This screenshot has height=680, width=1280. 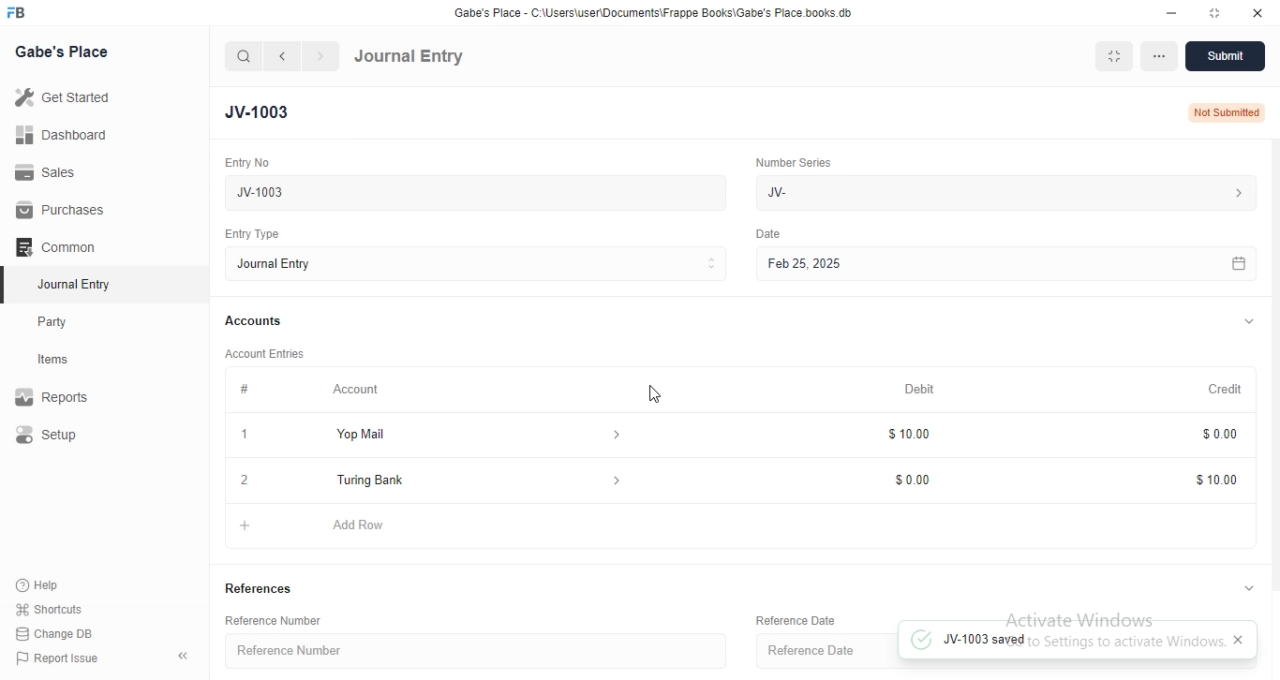 What do you see at coordinates (272, 623) in the screenshot?
I see `Reference Number` at bounding box center [272, 623].